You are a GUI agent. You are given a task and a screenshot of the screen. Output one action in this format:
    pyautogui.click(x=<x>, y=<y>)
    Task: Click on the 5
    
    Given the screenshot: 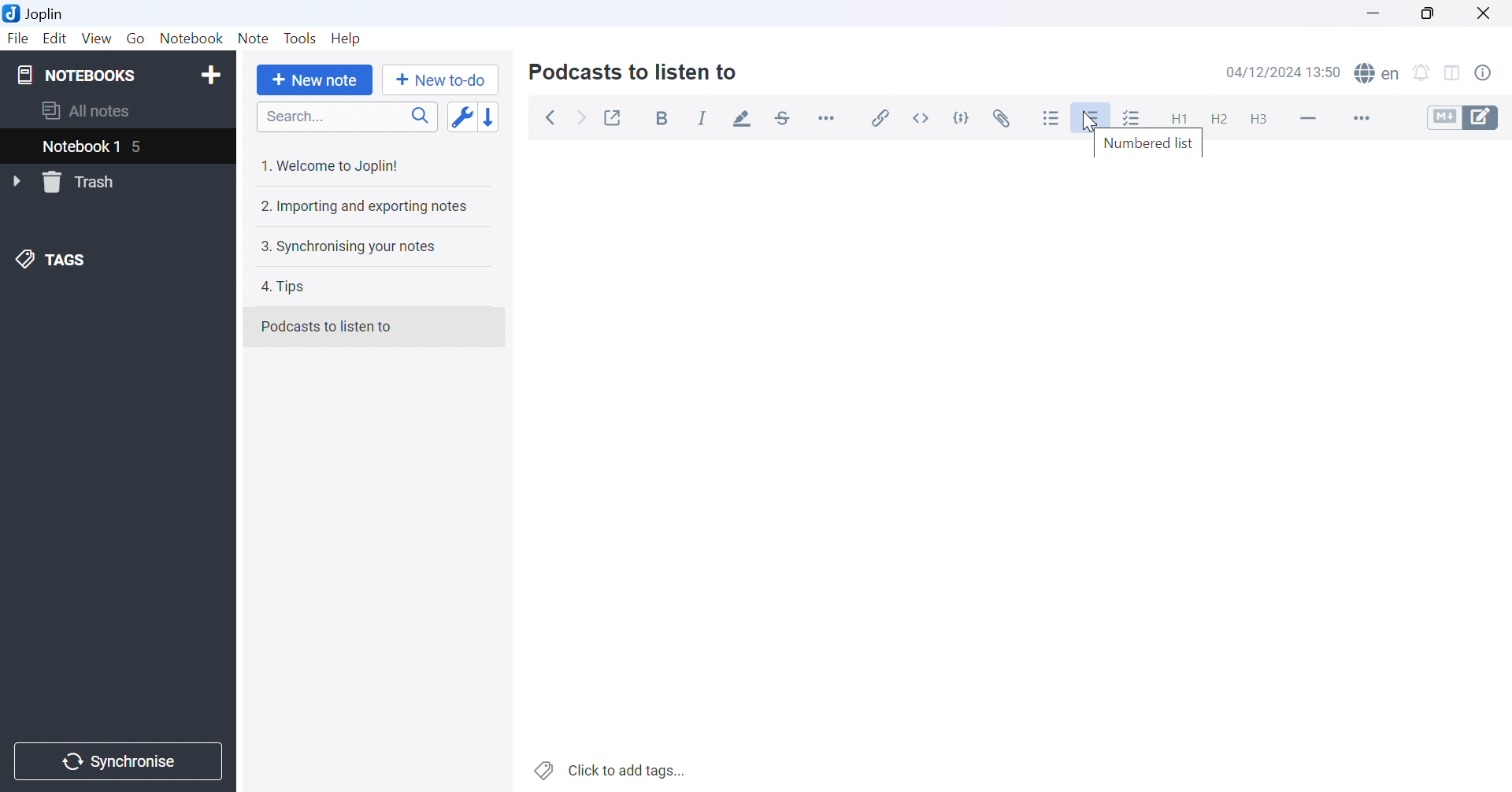 What is the action you would take?
    pyautogui.click(x=146, y=148)
    